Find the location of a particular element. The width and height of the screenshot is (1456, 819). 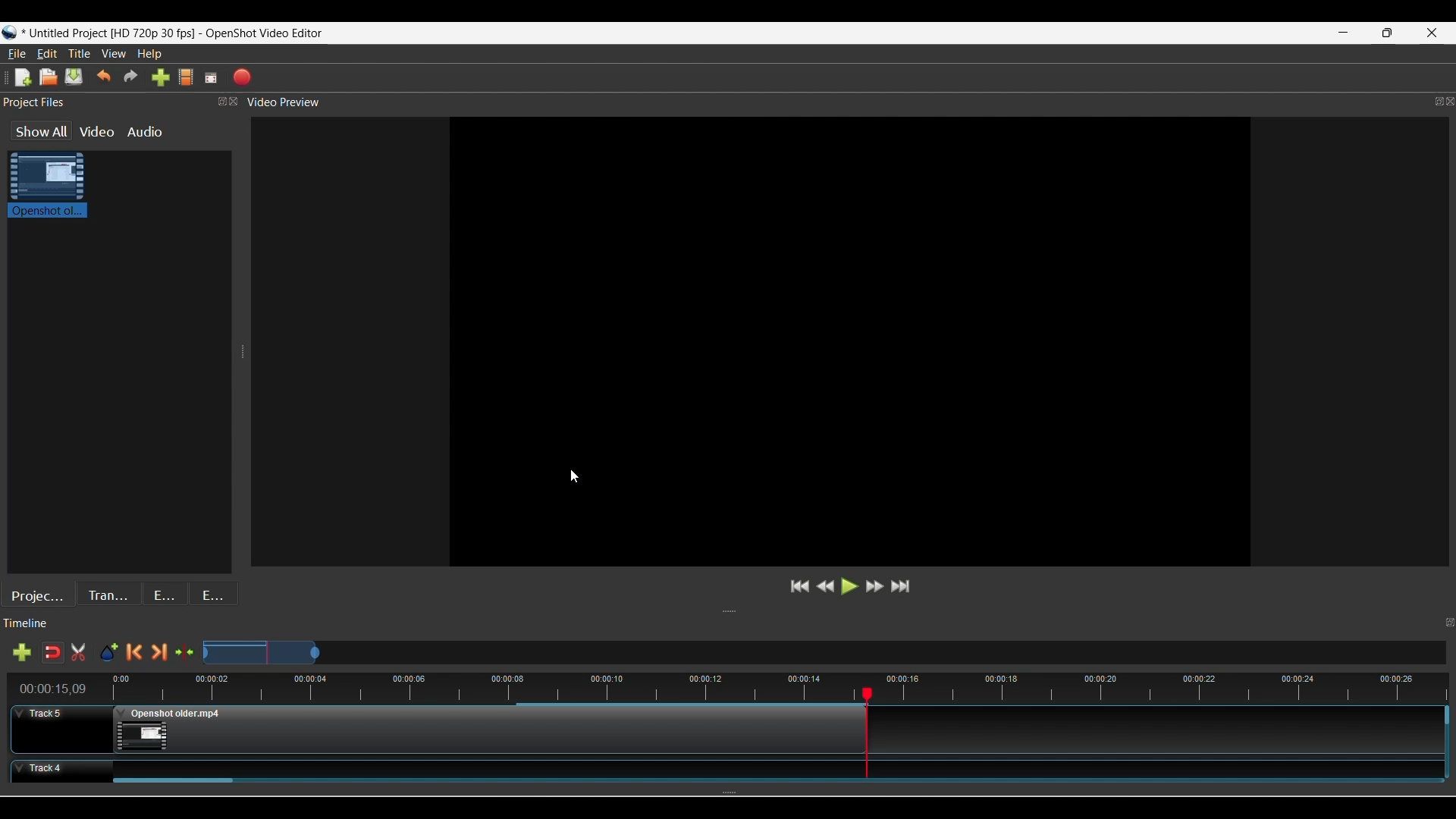

Edit is located at coordinates (46, 54).